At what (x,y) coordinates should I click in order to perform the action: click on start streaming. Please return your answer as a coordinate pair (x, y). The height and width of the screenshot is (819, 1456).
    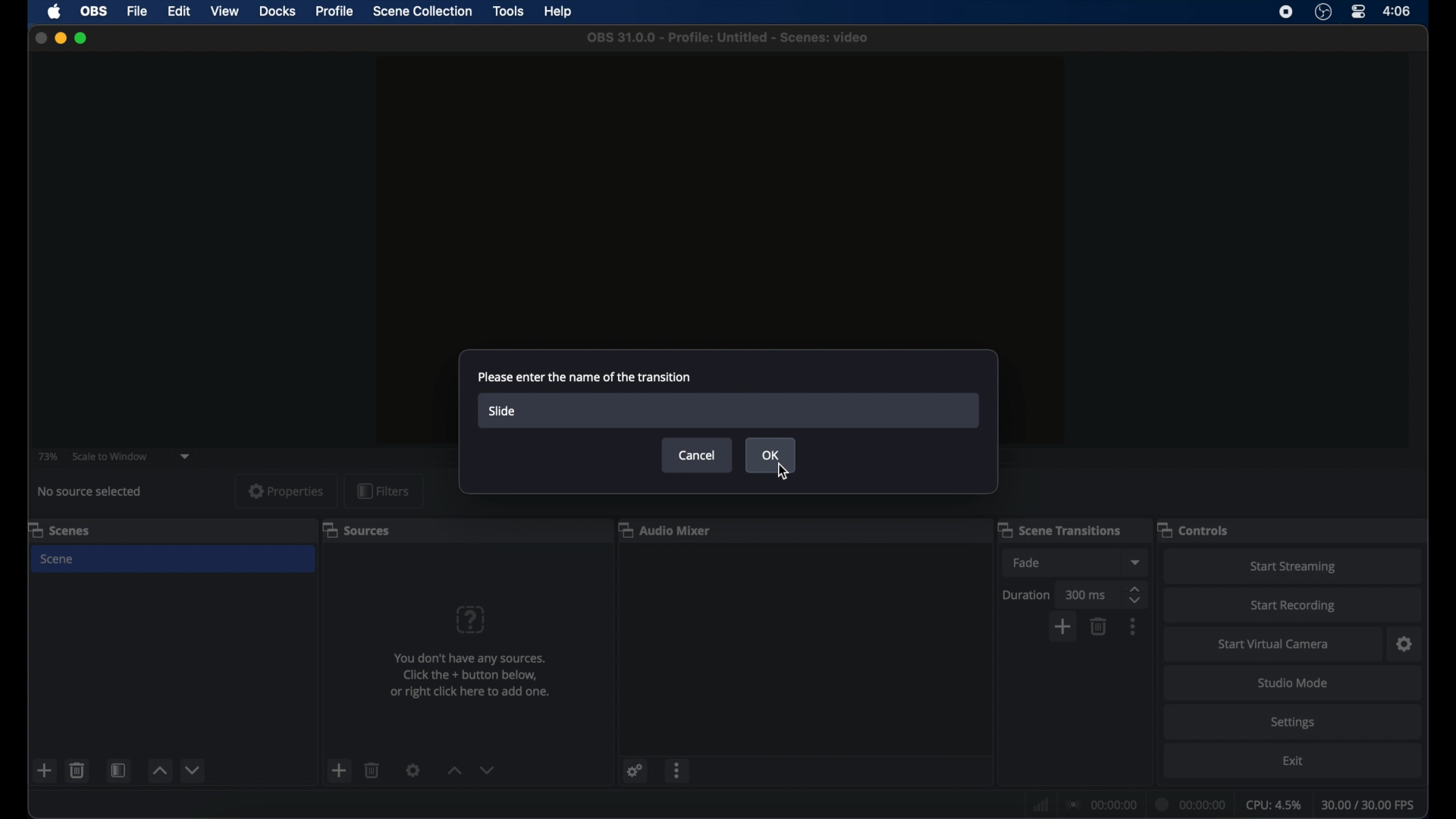
    Looking at the image, I should click on (1293, 567).